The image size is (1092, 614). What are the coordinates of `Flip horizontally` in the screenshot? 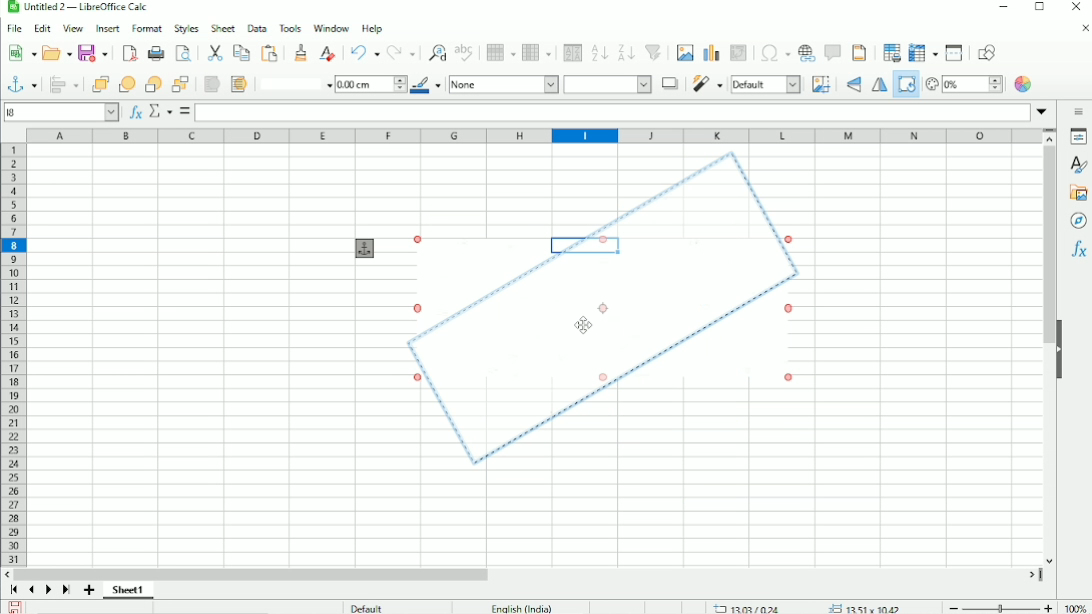 It's located at (877, 85).